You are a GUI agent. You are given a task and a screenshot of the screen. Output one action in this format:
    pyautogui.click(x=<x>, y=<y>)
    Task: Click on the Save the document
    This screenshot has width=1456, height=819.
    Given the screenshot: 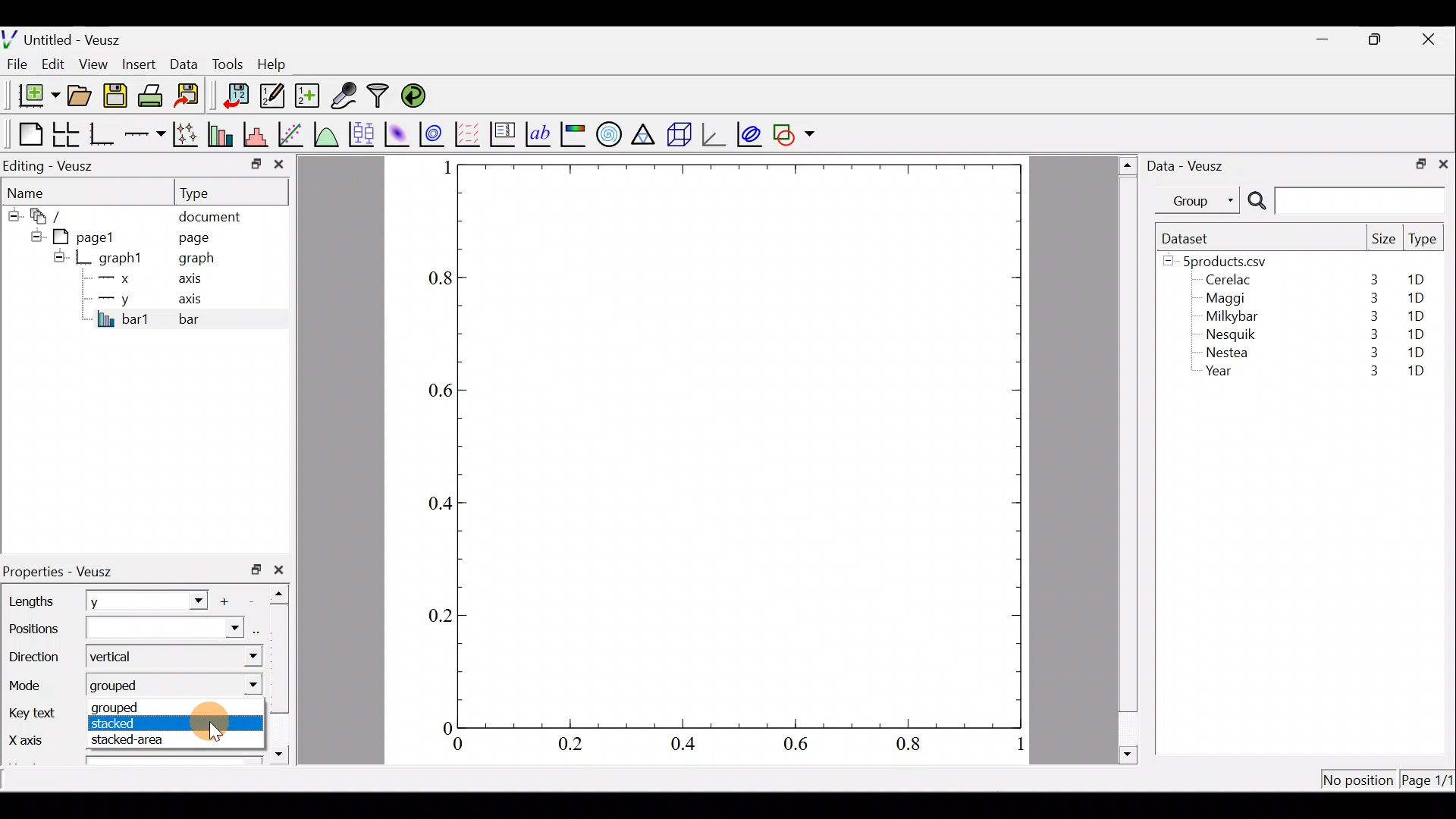 What is the action you would take?
    pyautogui.click(x=117, y=99)
    